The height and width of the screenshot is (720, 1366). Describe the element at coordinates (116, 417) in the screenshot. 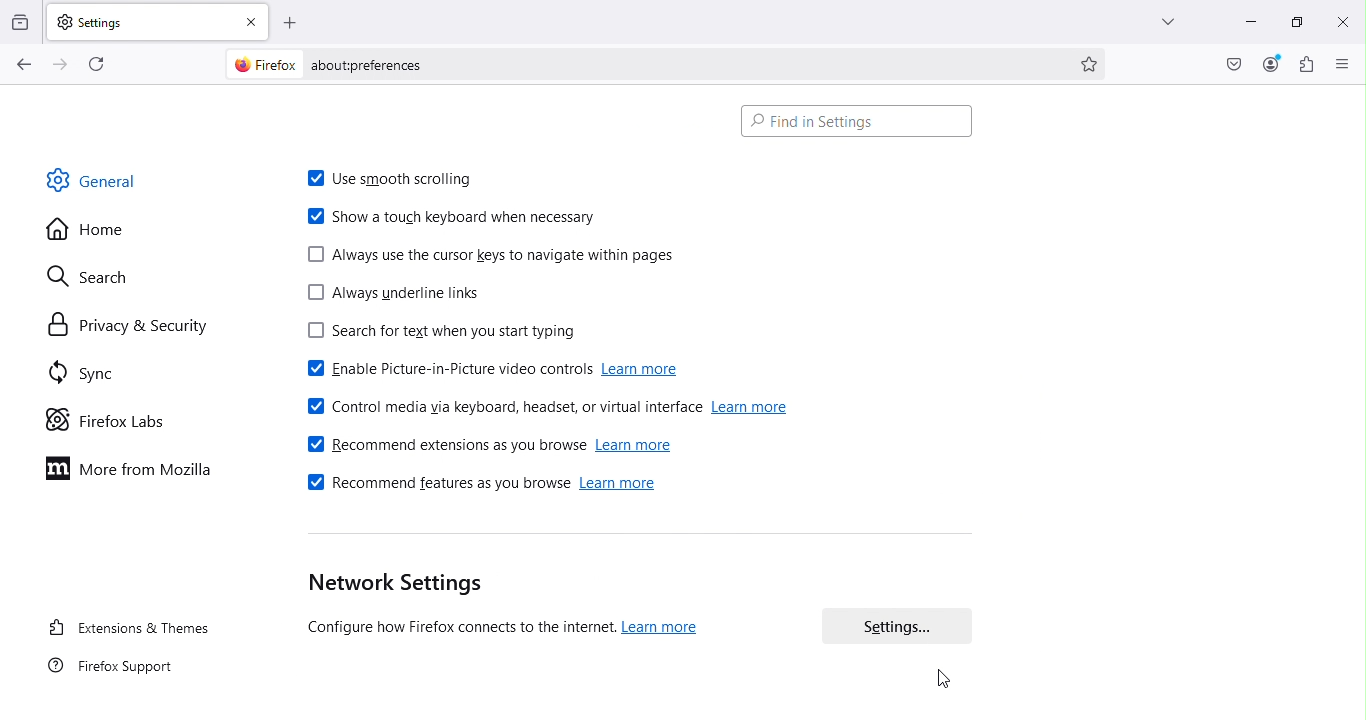

I see `Firefox labs` at that location.